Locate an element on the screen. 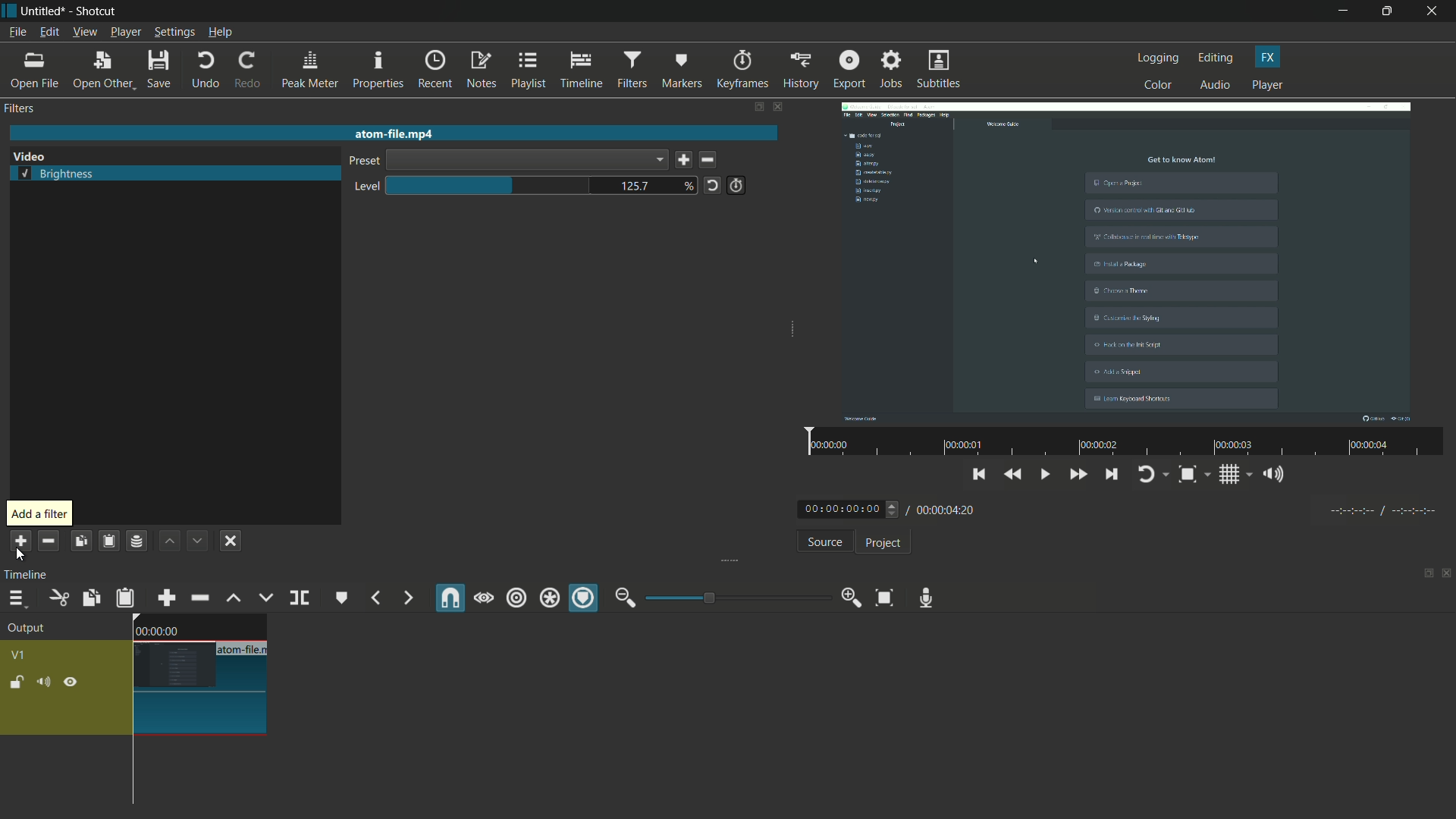 This screenshot has width=1456, height=819. video on timeline is located at coordinates (198, 674).